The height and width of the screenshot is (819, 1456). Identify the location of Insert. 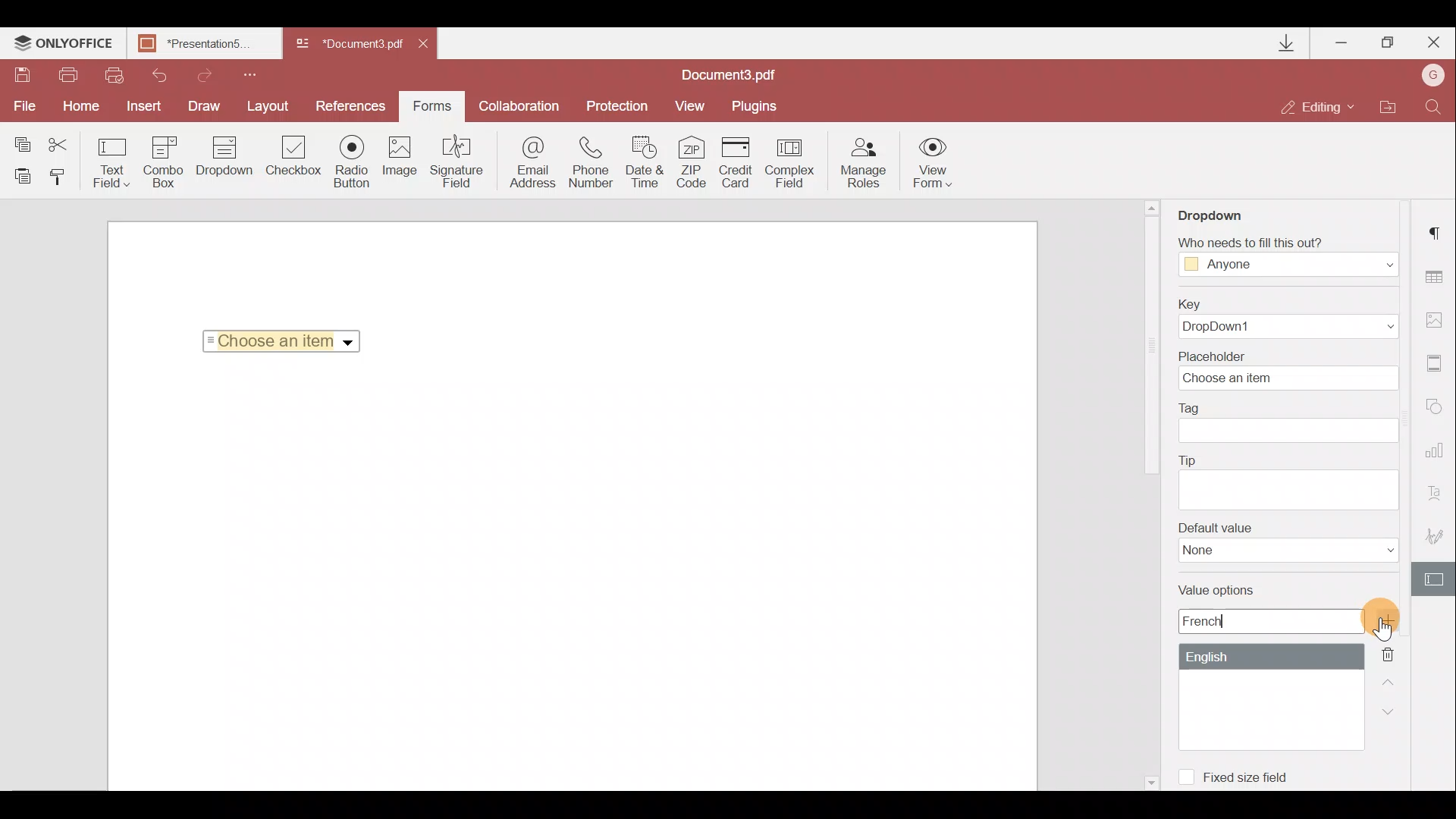
(140, 103).